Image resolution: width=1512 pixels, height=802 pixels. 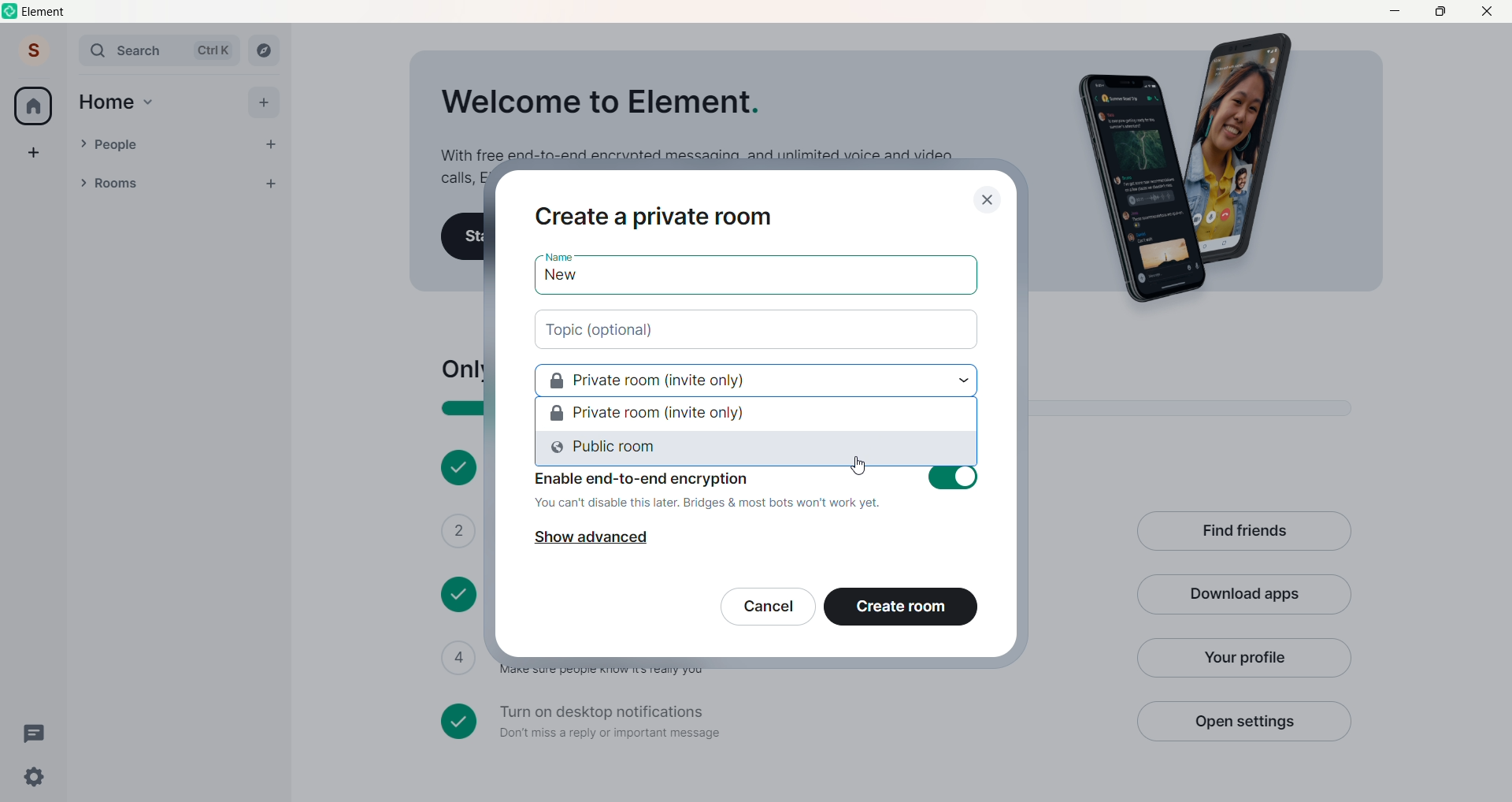 What do you see at coordinates (778, 722) in the screenshot?
I see `Turn on desktop notifications
Don't miss a reply or important message` at bounding box center [778, 722].